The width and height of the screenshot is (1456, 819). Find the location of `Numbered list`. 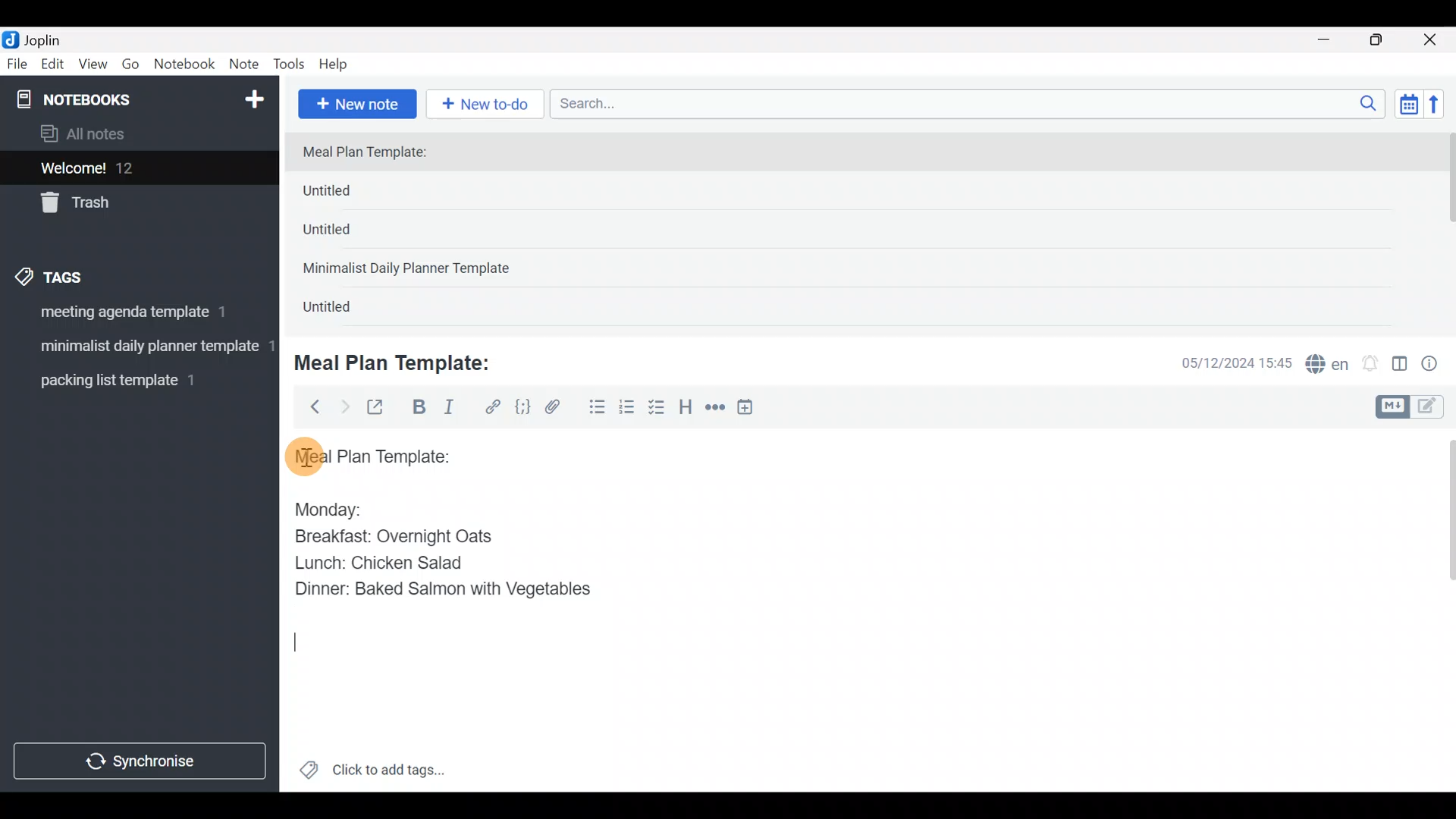

Numbered list is located at coordinates (627, 410).